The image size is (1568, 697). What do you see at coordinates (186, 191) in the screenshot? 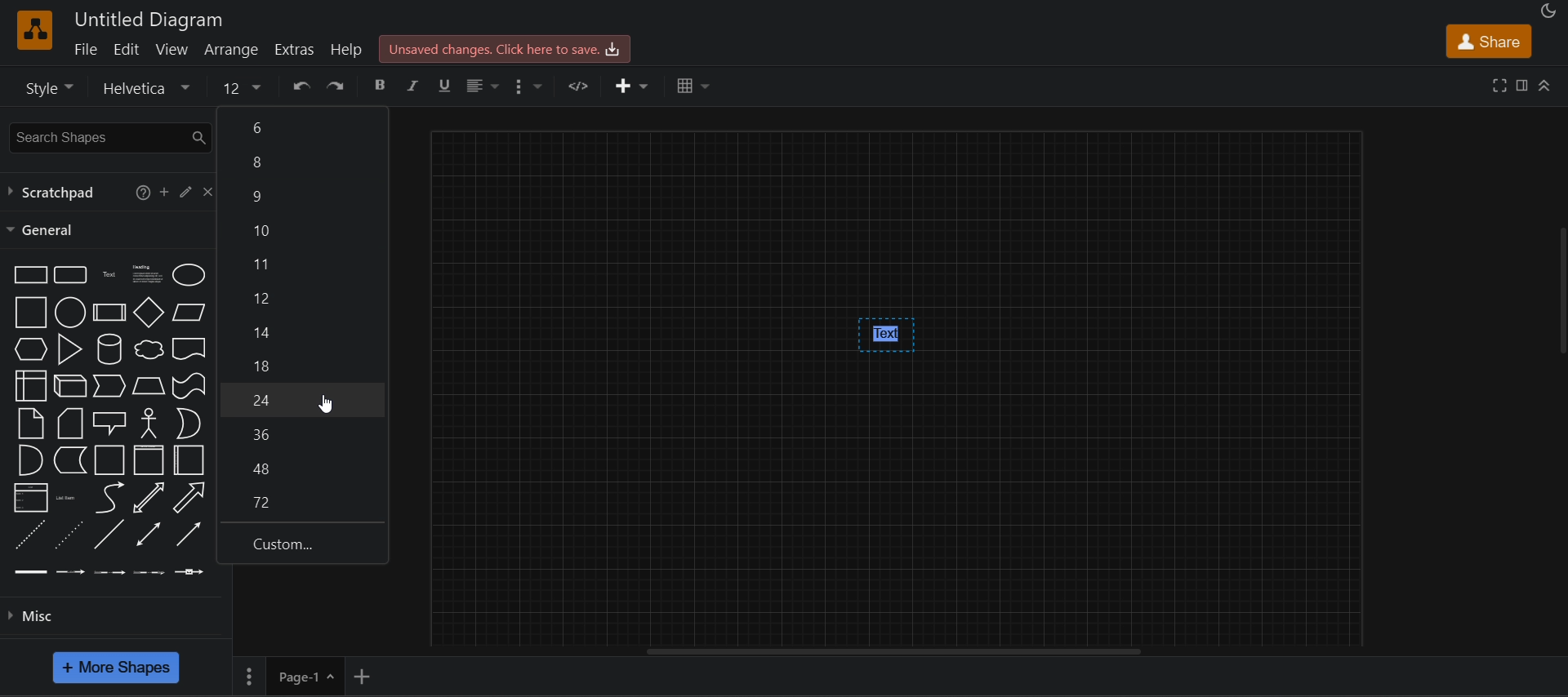
I see `edit` at bounding box center [186, 191].